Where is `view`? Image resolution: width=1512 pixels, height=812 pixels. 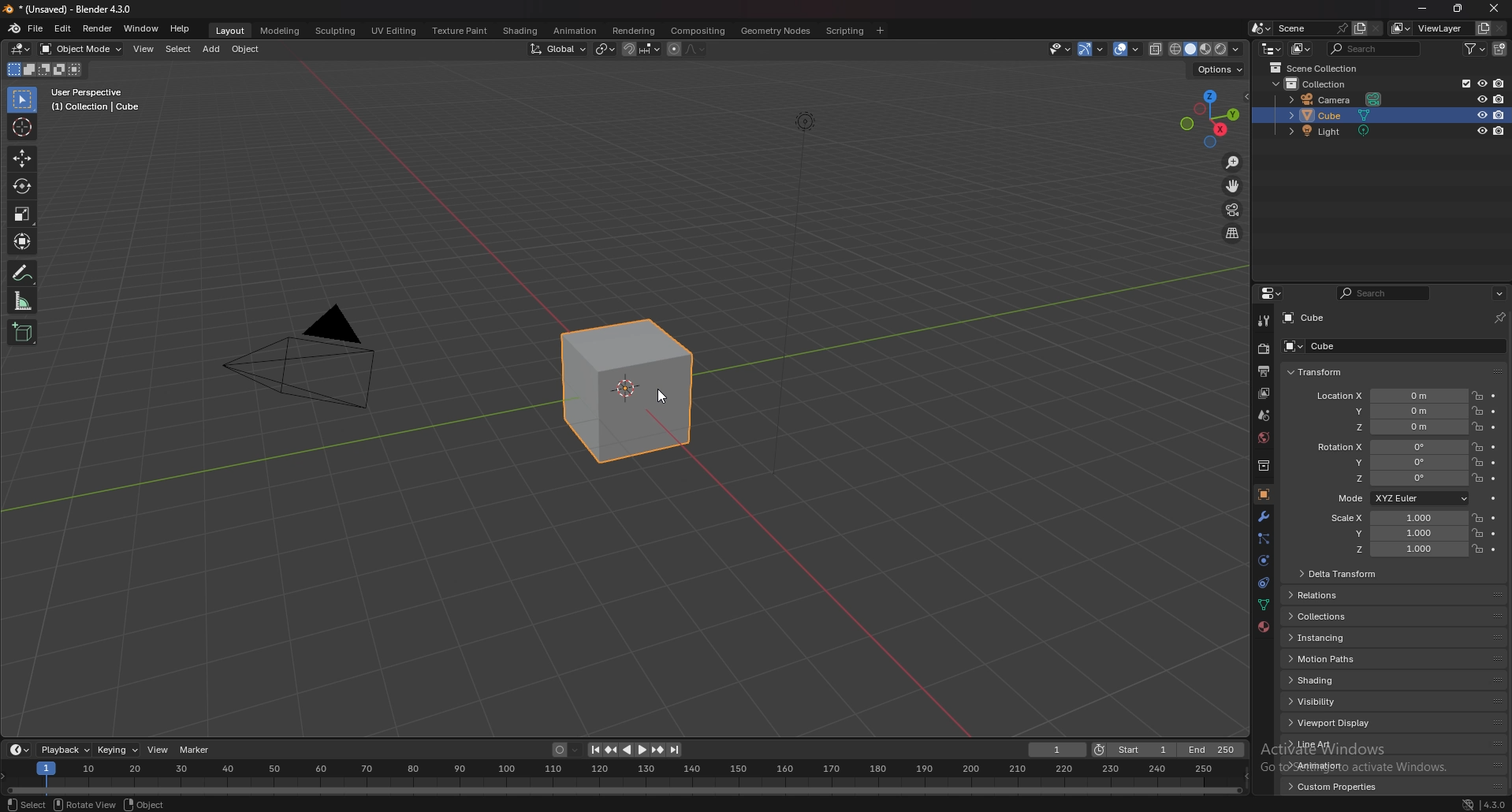 view is located at coordinates (156, 750).